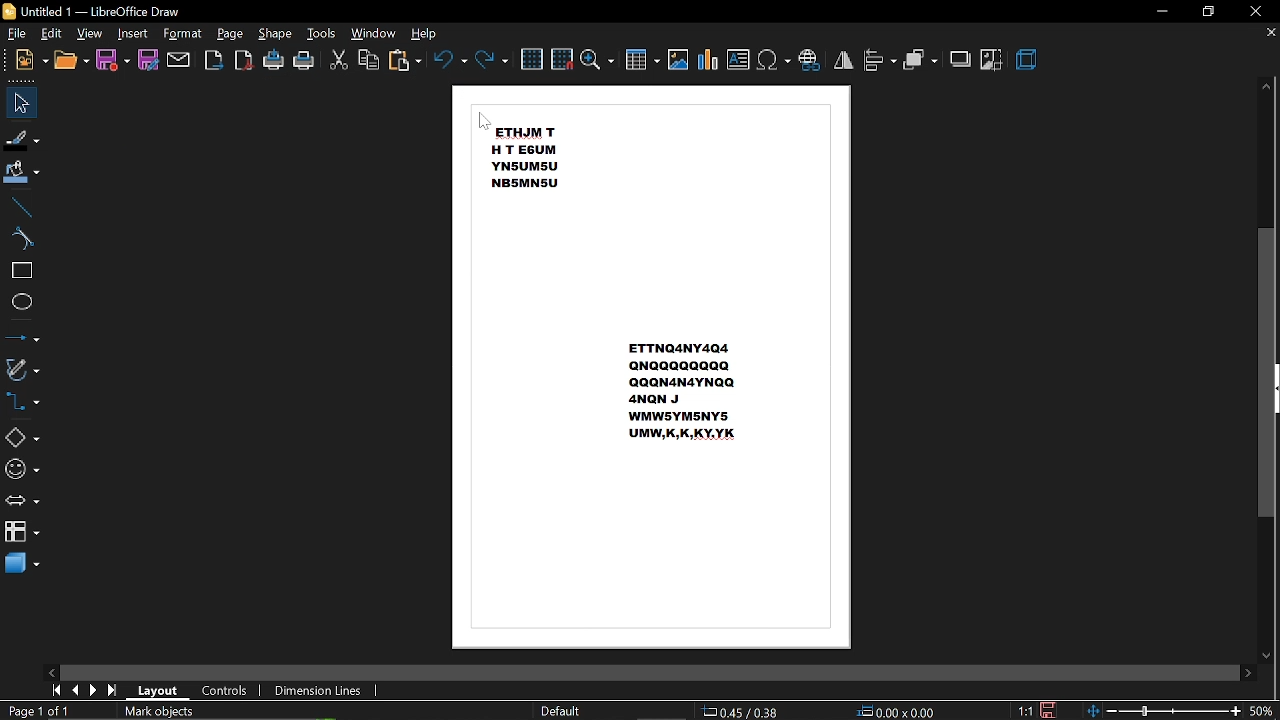 Image resolution: width=1280 pixels, height=720 pixels. I want to click on move right, so click(1247, 672).